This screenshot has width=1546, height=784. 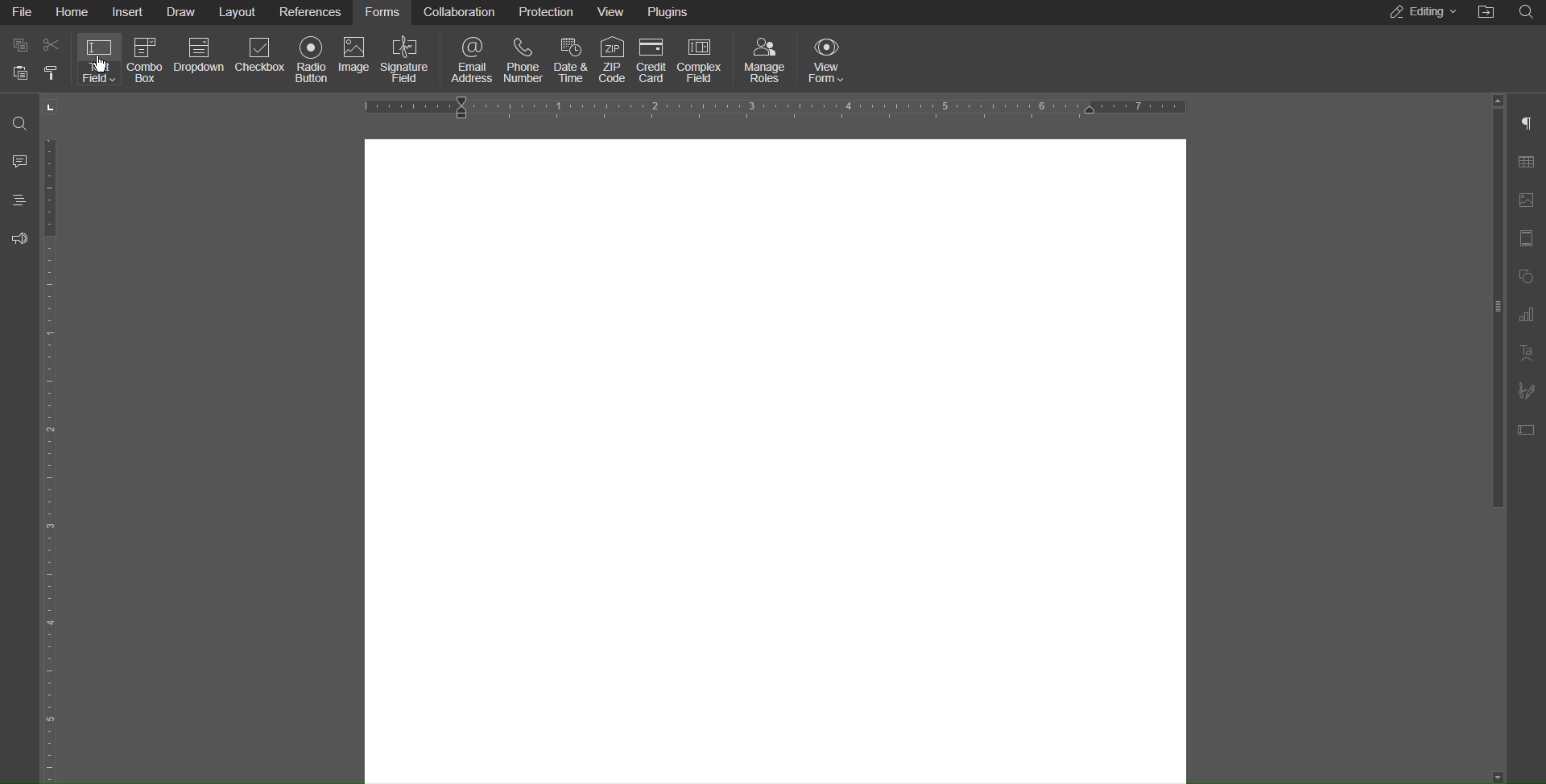 I want to click on Paragraph Settings, so click(x=1530, y=122).